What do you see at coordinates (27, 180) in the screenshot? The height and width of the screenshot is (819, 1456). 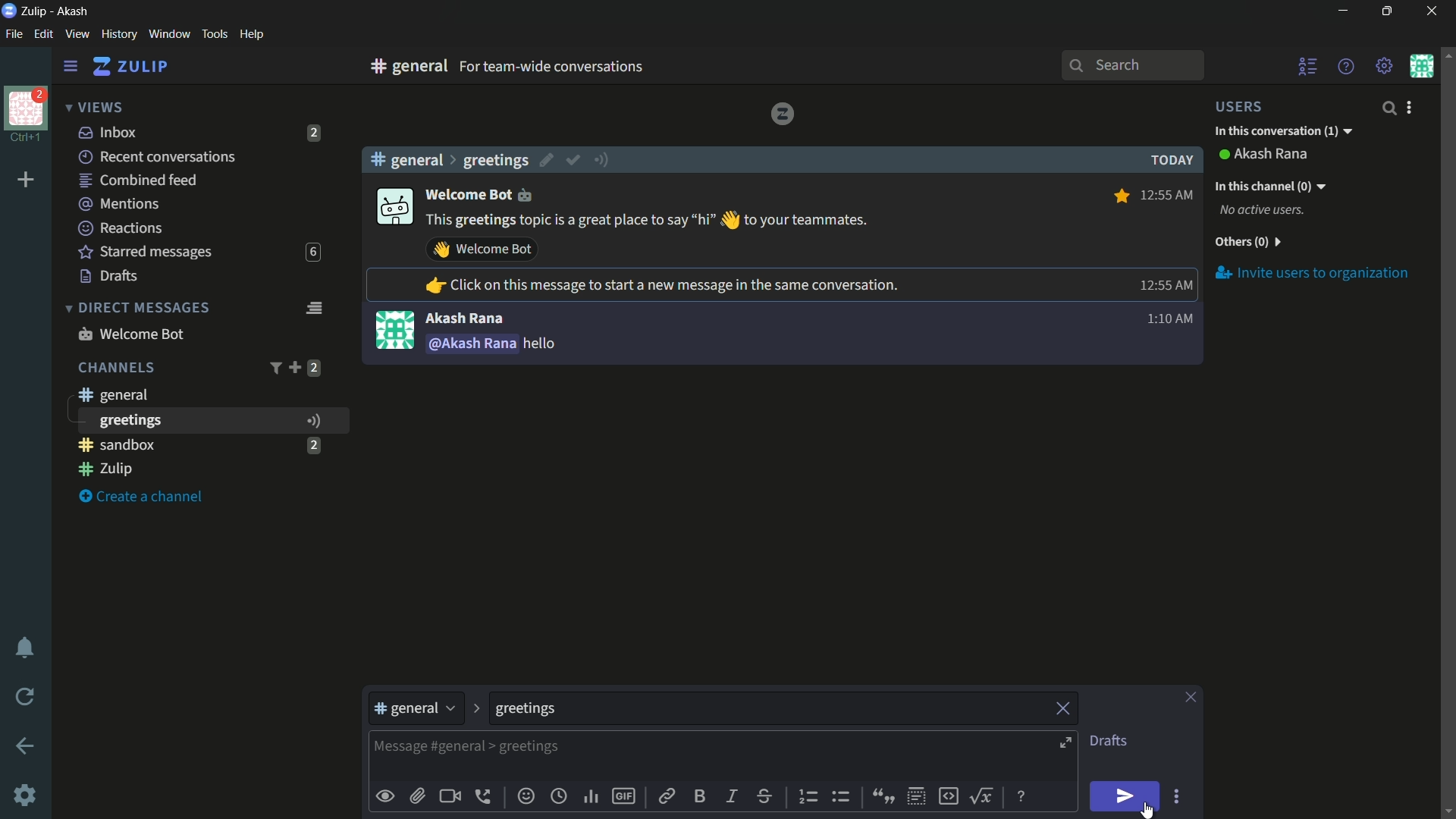 I see `add organization` at bounding box center [27, 180].